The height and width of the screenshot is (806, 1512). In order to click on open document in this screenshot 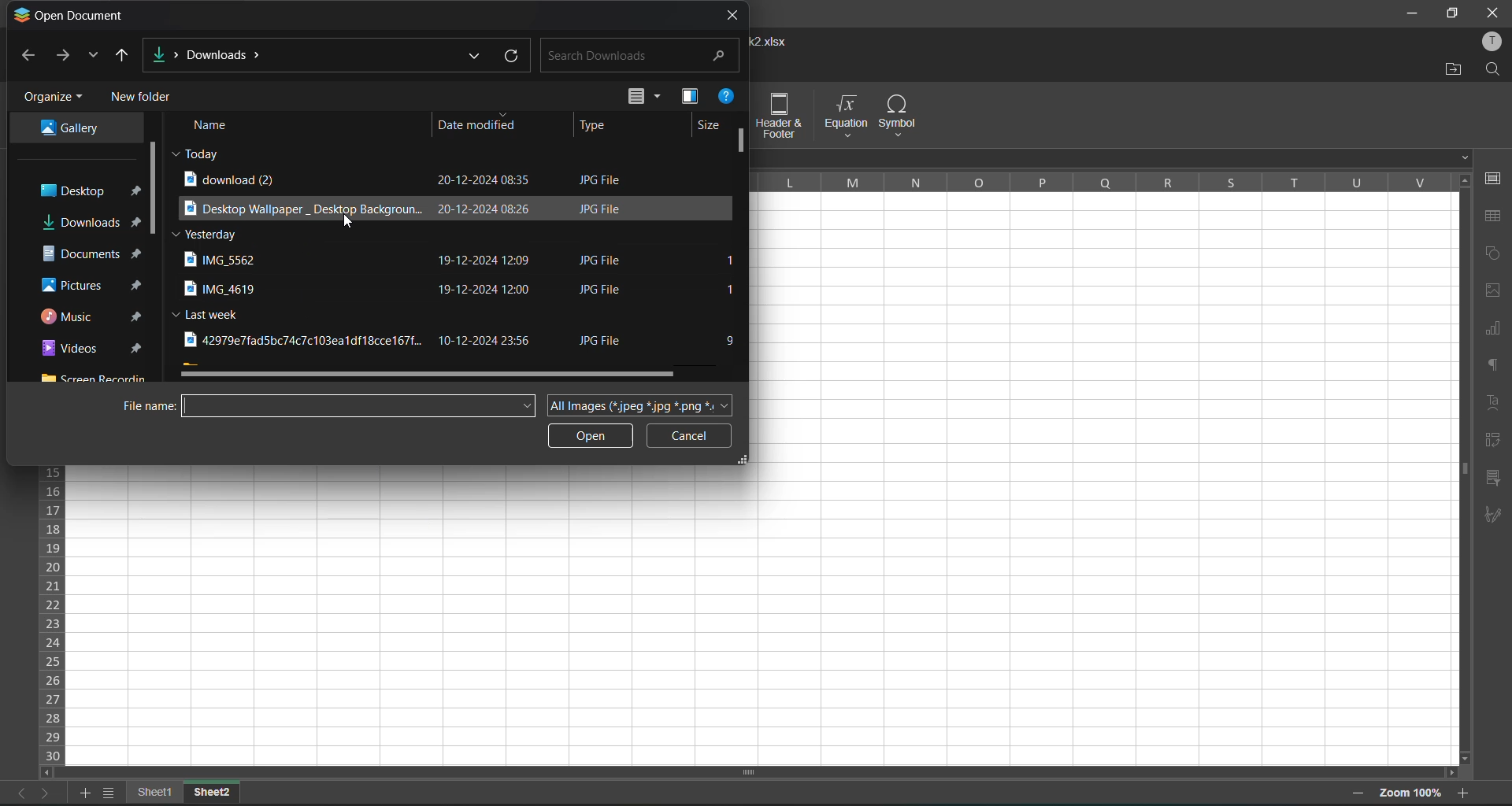, I will do `click(70, 15)`.